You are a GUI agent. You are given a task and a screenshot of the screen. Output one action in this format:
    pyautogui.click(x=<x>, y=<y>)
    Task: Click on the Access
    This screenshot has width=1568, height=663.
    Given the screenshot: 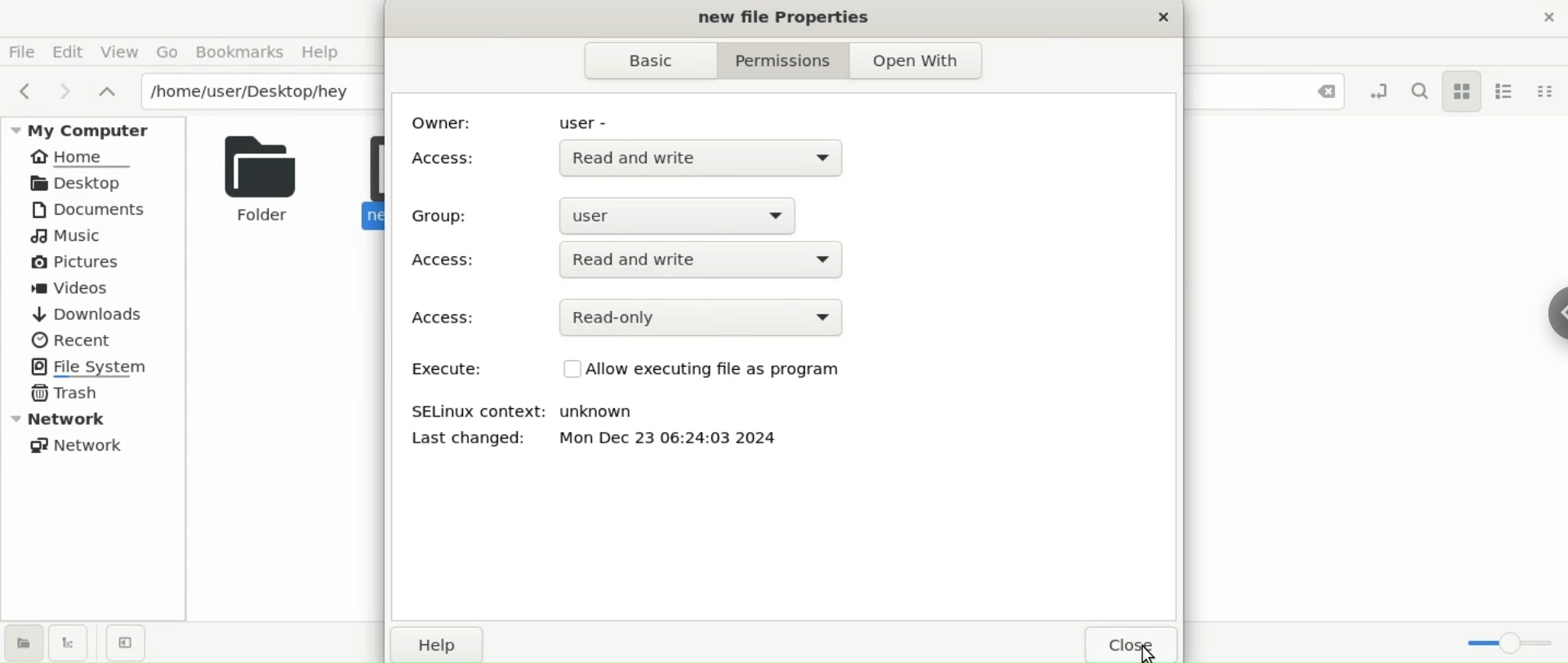 What is the action you would take?
    pyautogui.click(x=471, y=162)
    